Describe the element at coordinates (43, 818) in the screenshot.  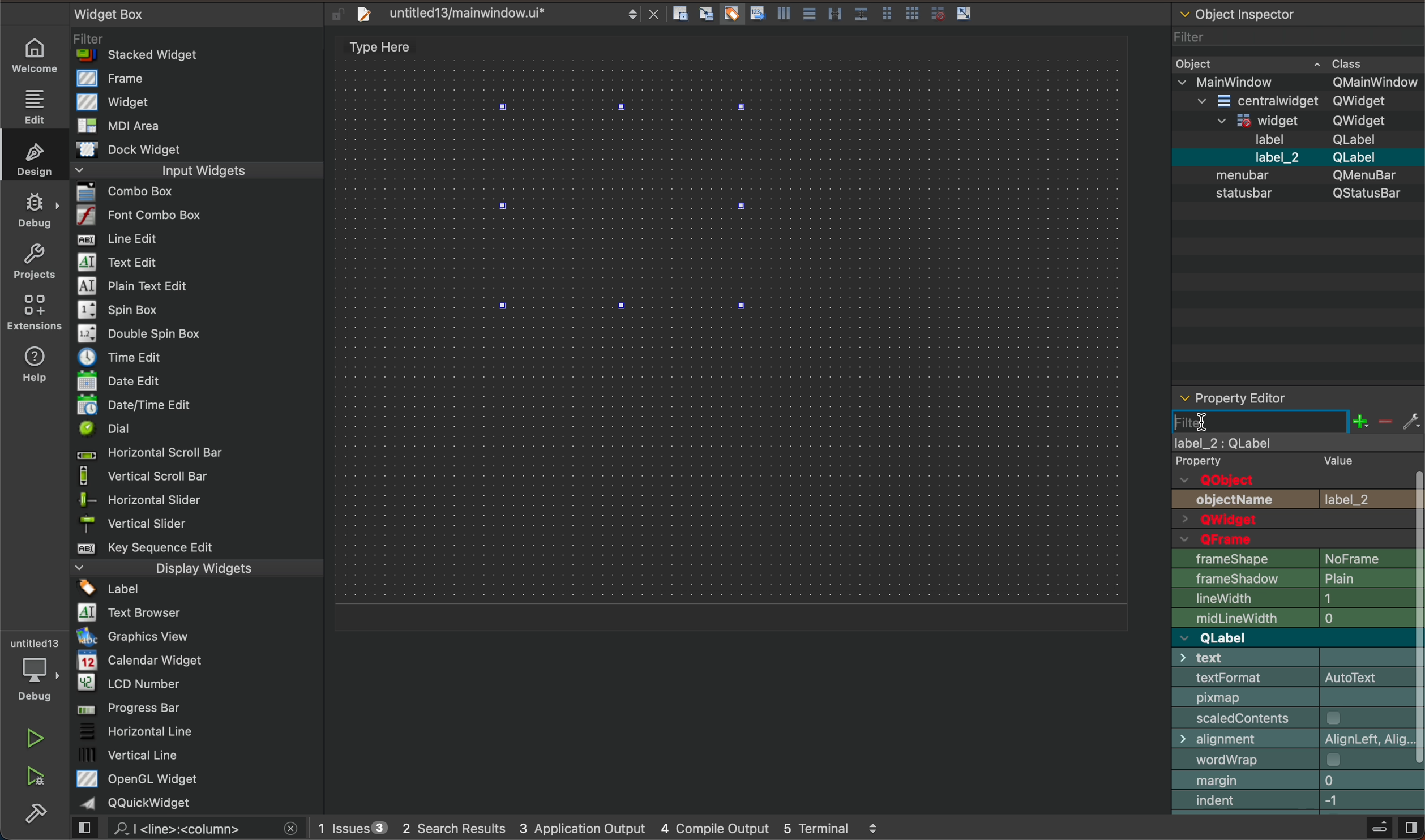
I see `build` at that location.